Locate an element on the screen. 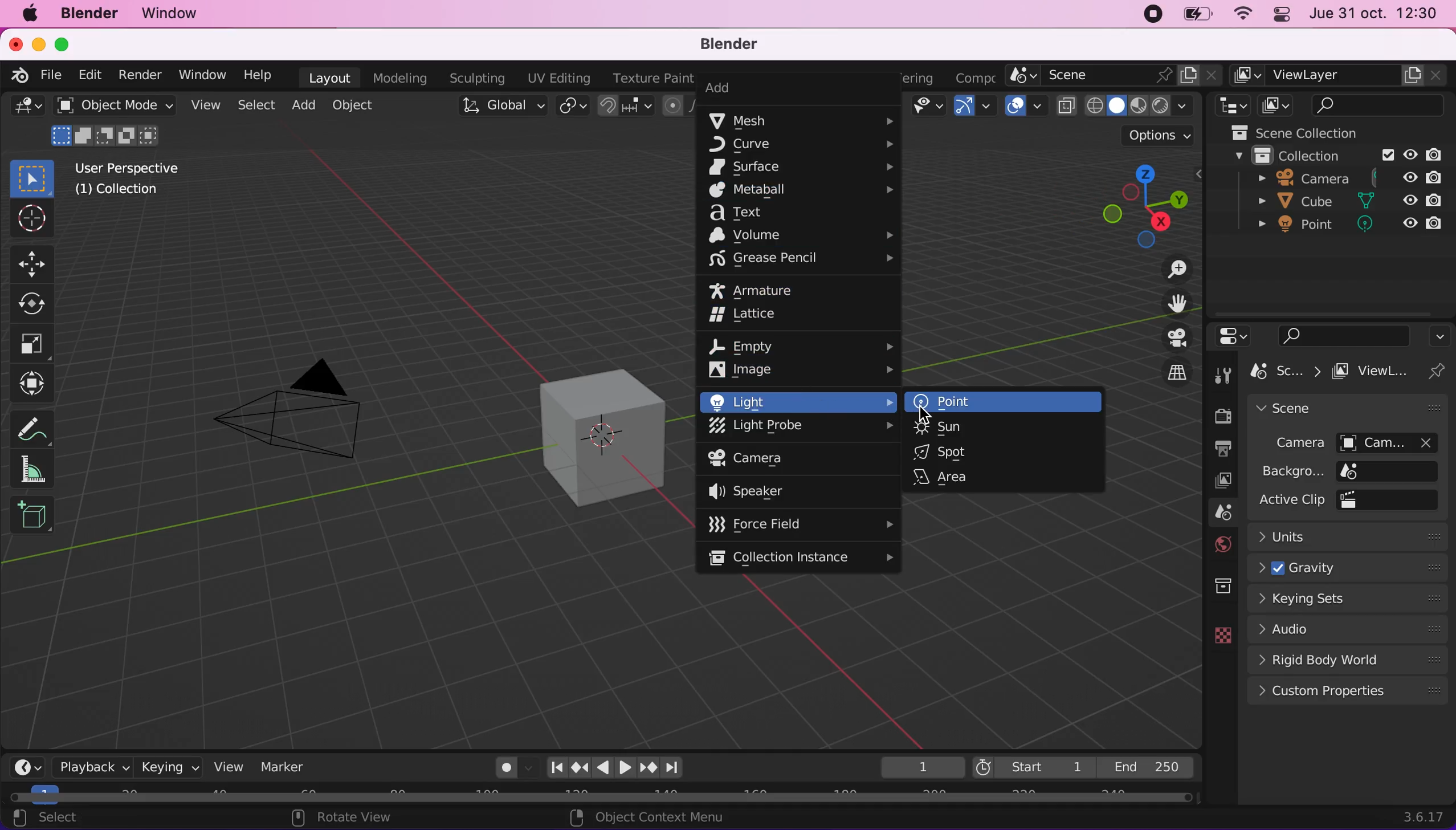  snapping is located at coordinates (625, 107).